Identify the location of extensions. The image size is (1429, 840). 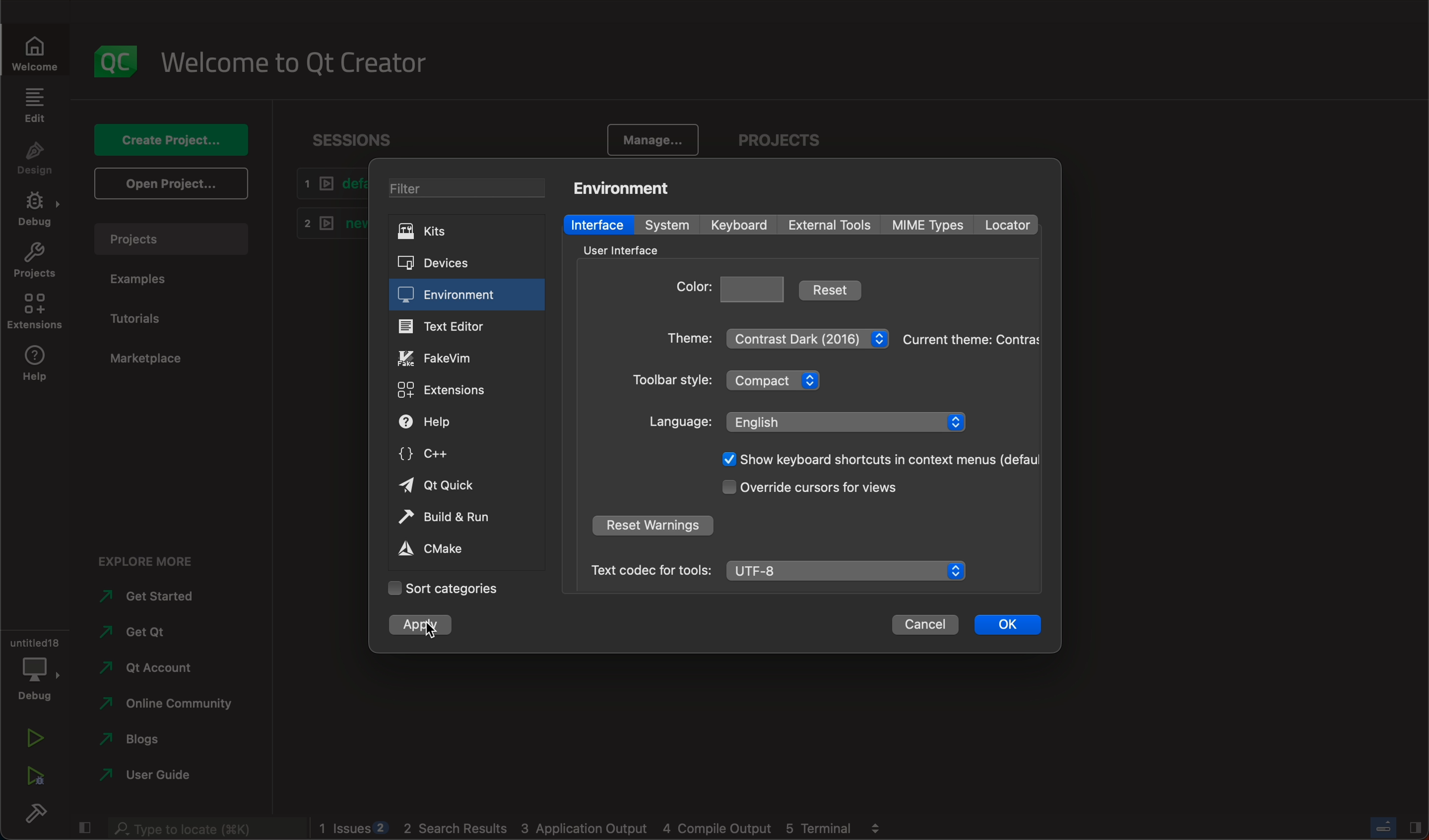
(36, 312).